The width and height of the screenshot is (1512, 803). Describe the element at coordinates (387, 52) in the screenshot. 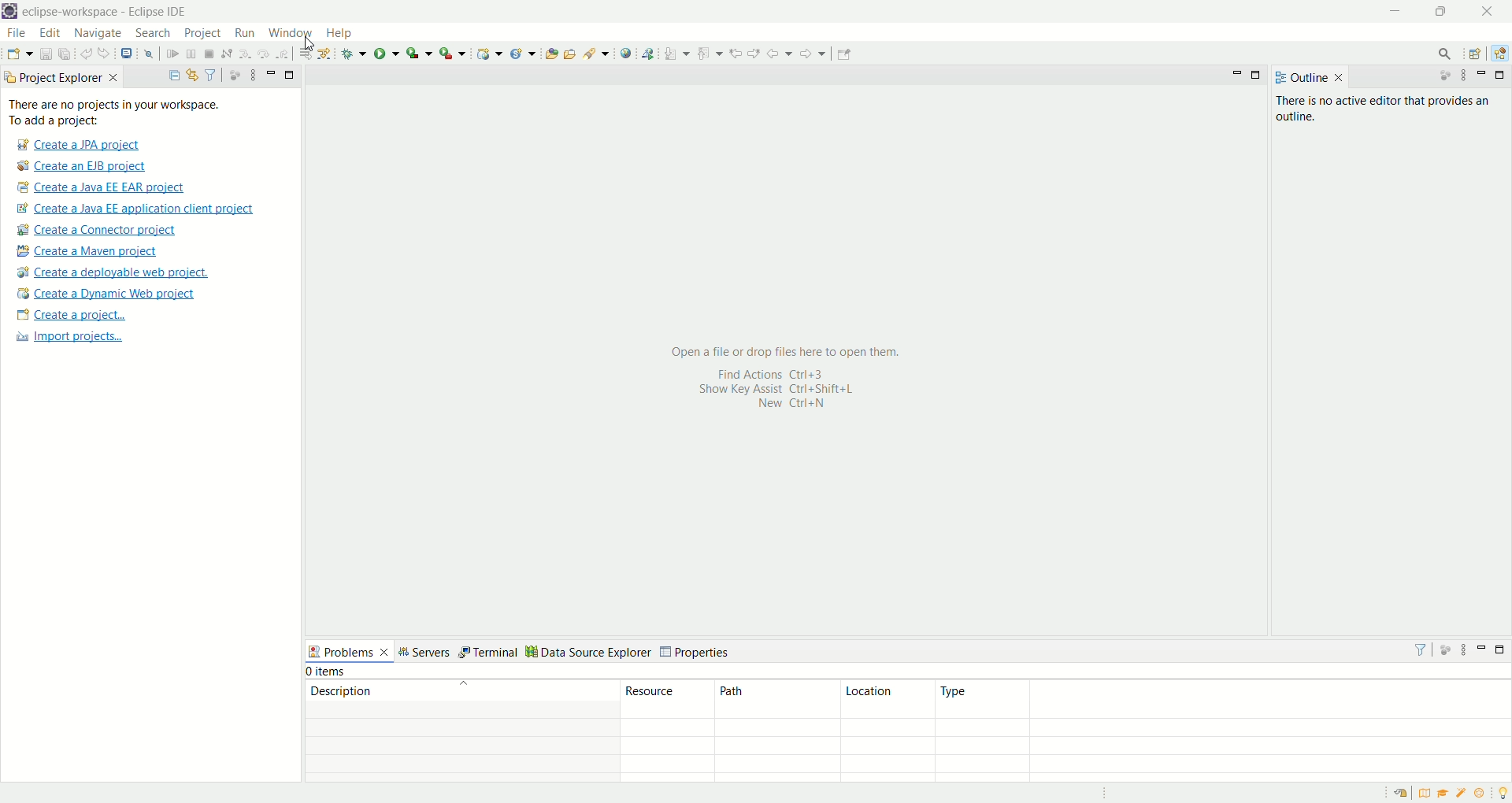

I see `run` at that location.